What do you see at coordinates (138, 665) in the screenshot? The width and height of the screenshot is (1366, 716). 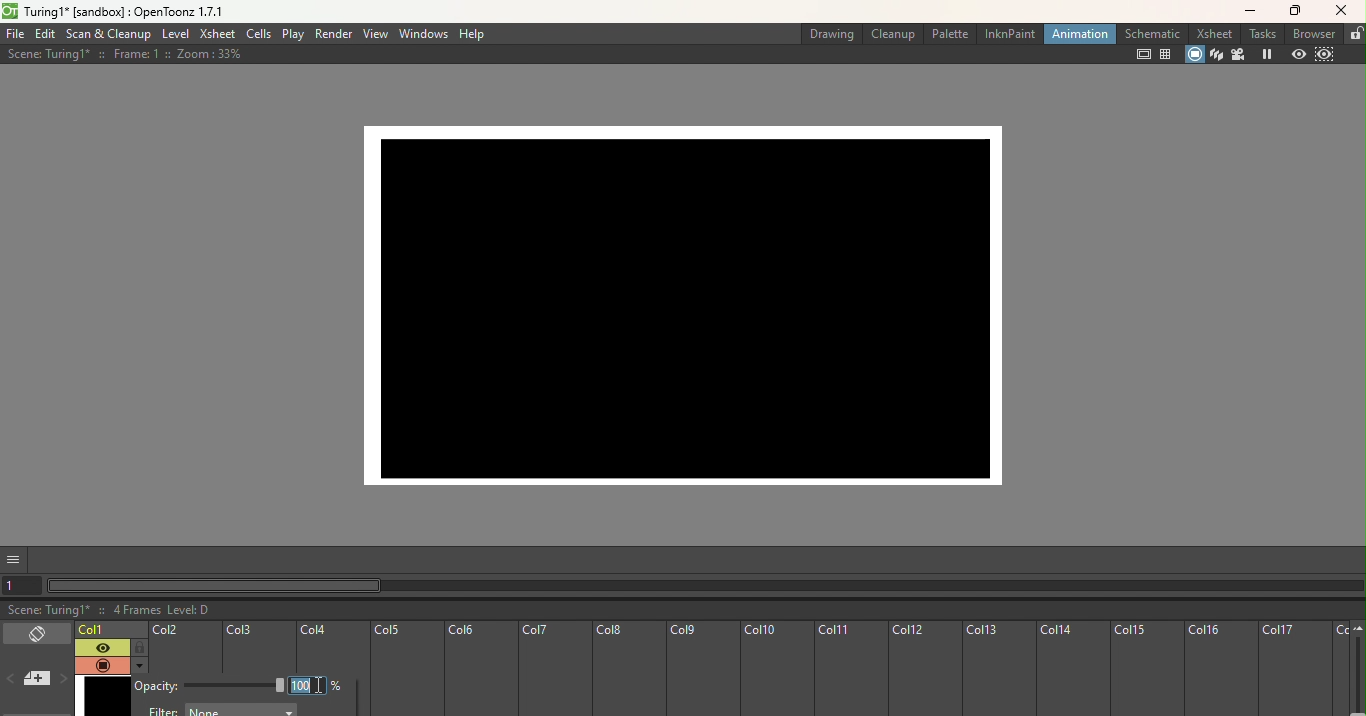 I see `Additional column settings` at bounding box center [138, 665].